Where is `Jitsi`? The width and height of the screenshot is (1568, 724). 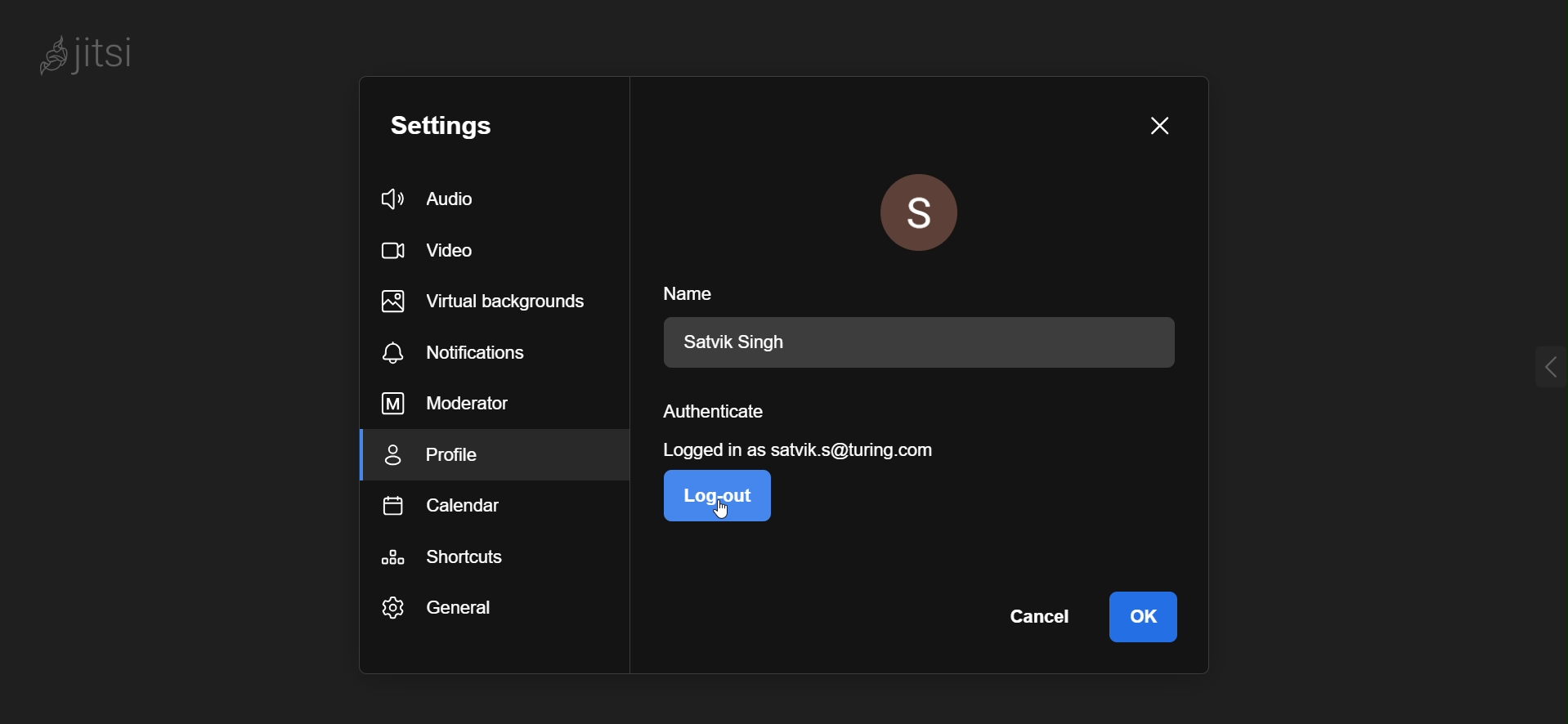
Jitsi is located at coordinates (103, 52).